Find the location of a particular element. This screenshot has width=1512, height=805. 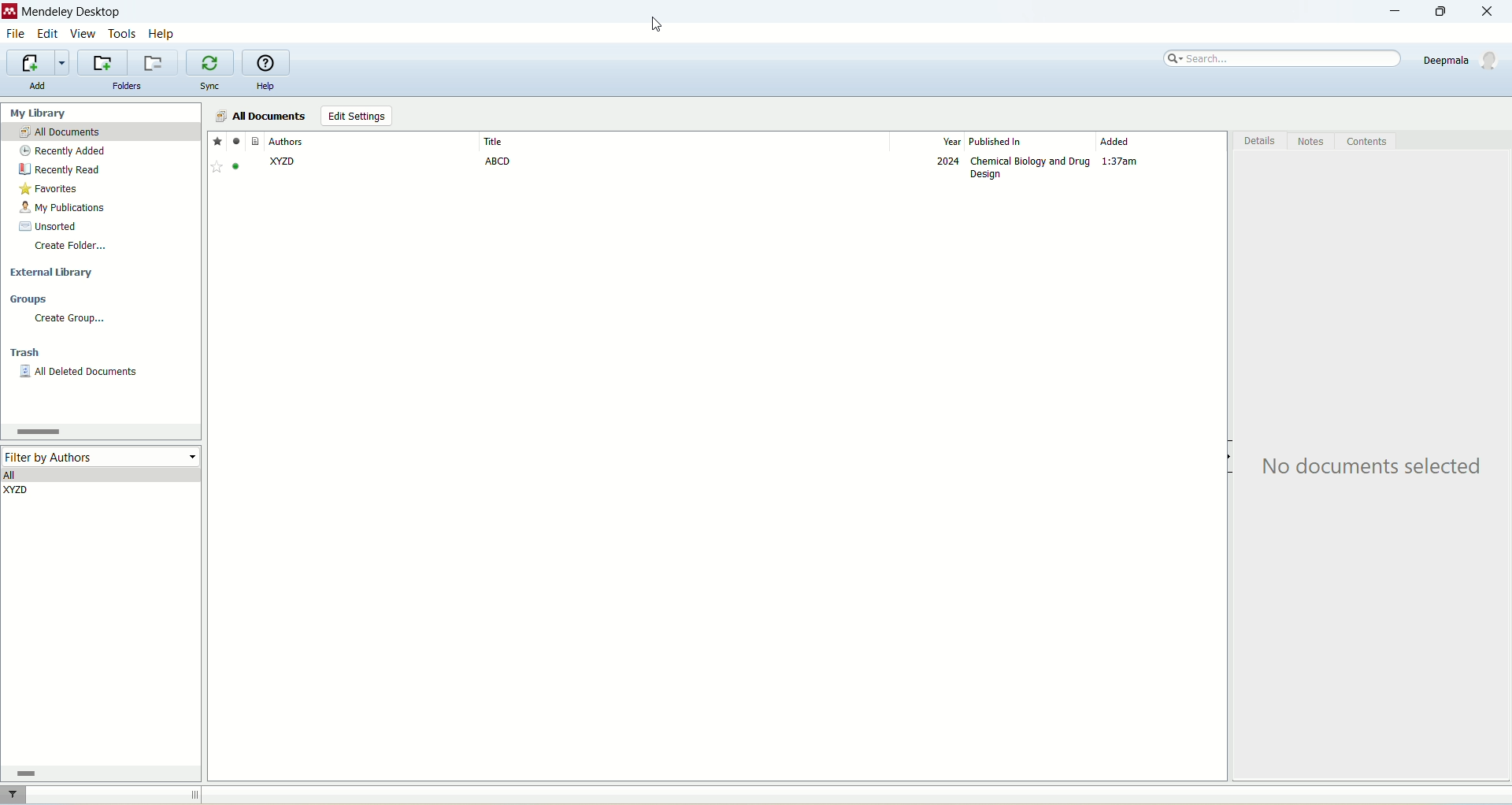

edit settings is located at coordinates (356, 117).